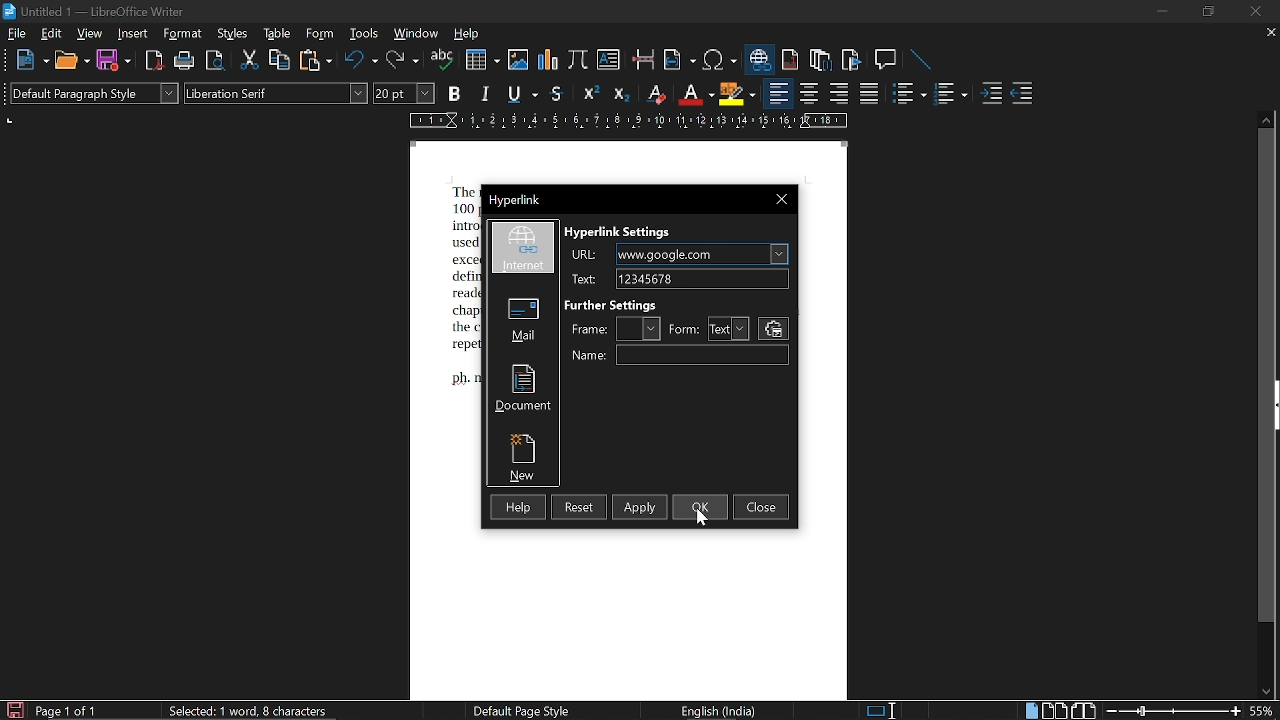 The height and width of the screenshot is (720, 1280). Describe the element at coordinates (701, 518) in the screenshot. I see `cursor` at that location.